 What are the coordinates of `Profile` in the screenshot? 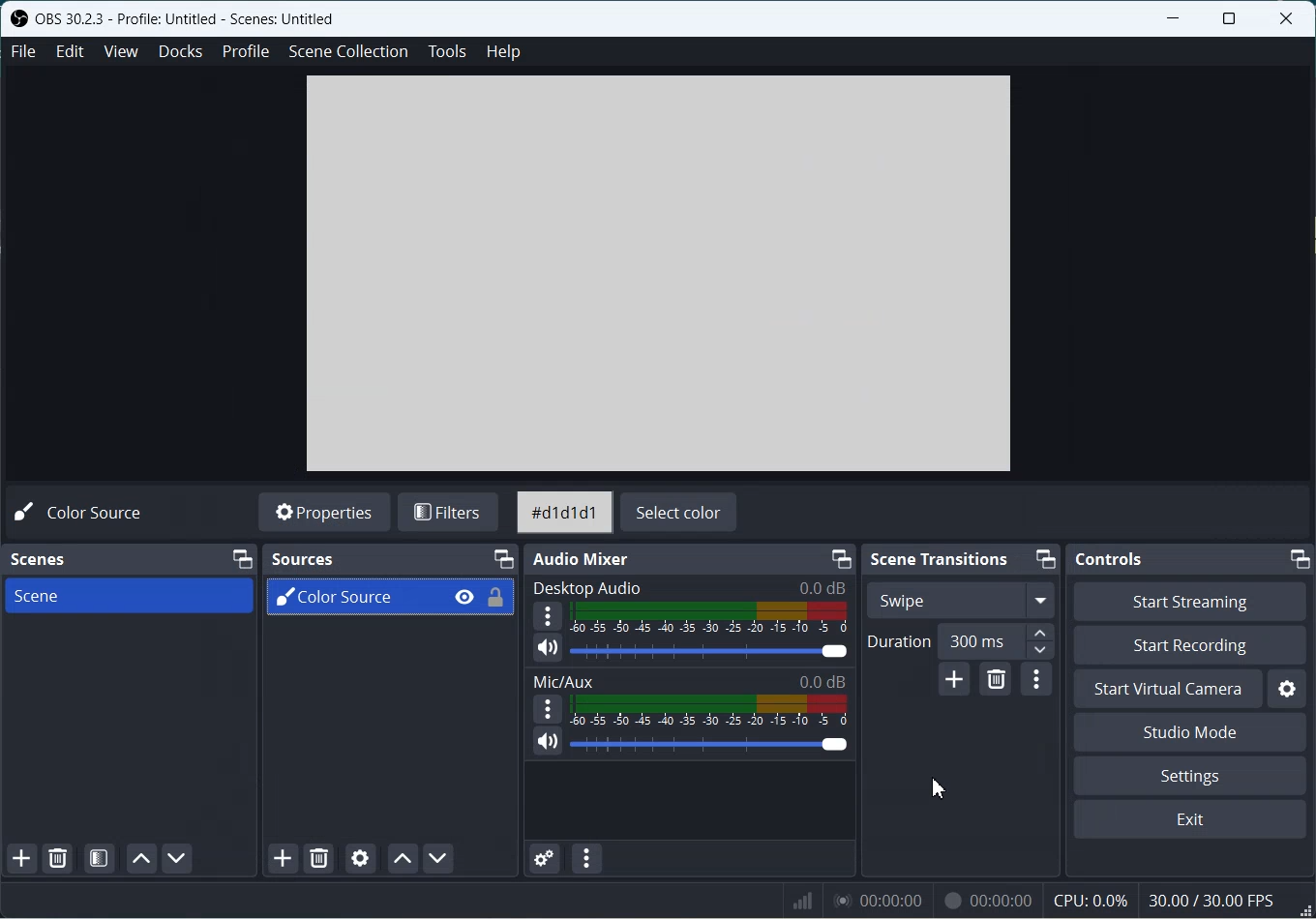 It's located at (245, 51).